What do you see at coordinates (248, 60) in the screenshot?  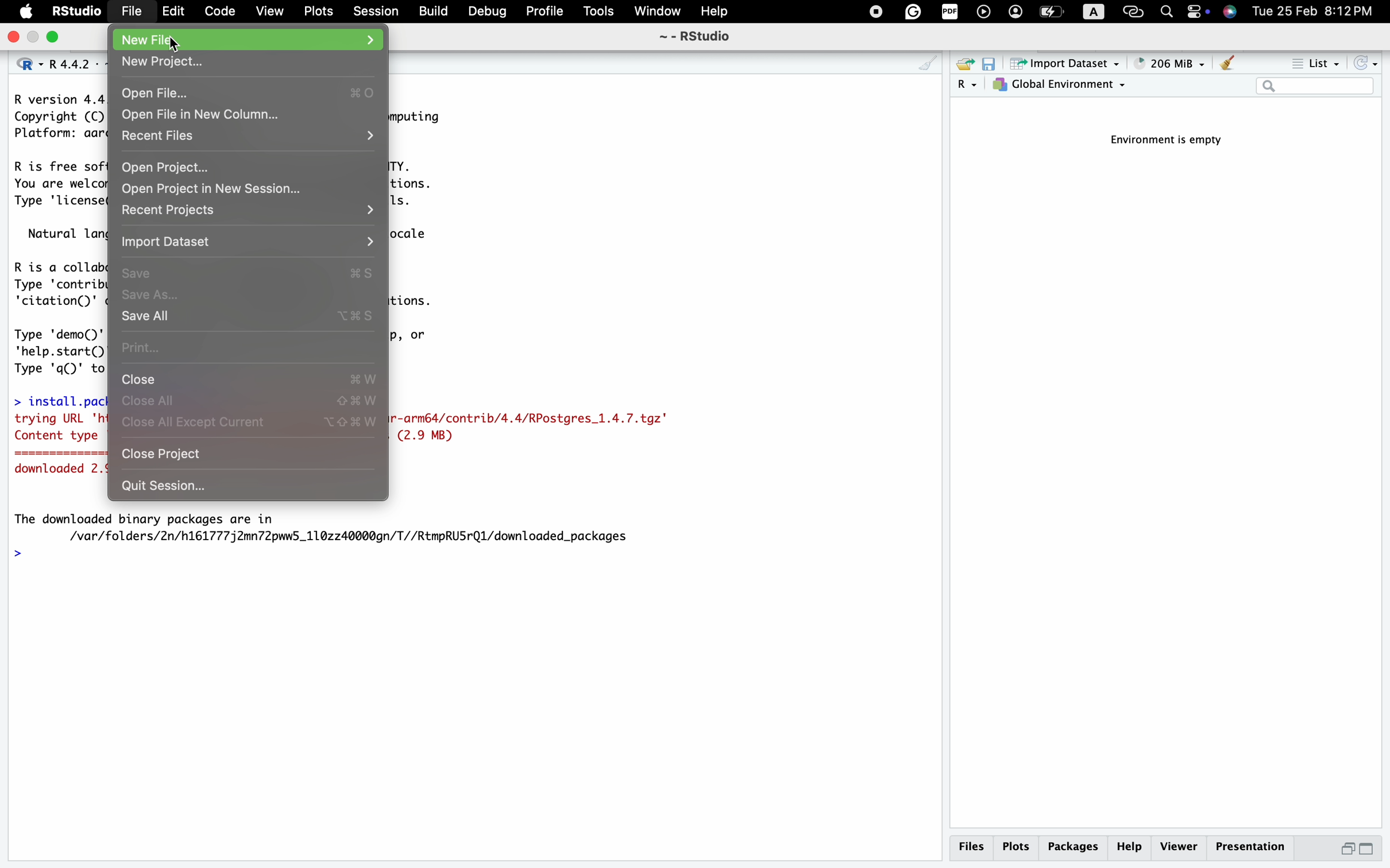 I see `New project` at bounding box center [248, 60].